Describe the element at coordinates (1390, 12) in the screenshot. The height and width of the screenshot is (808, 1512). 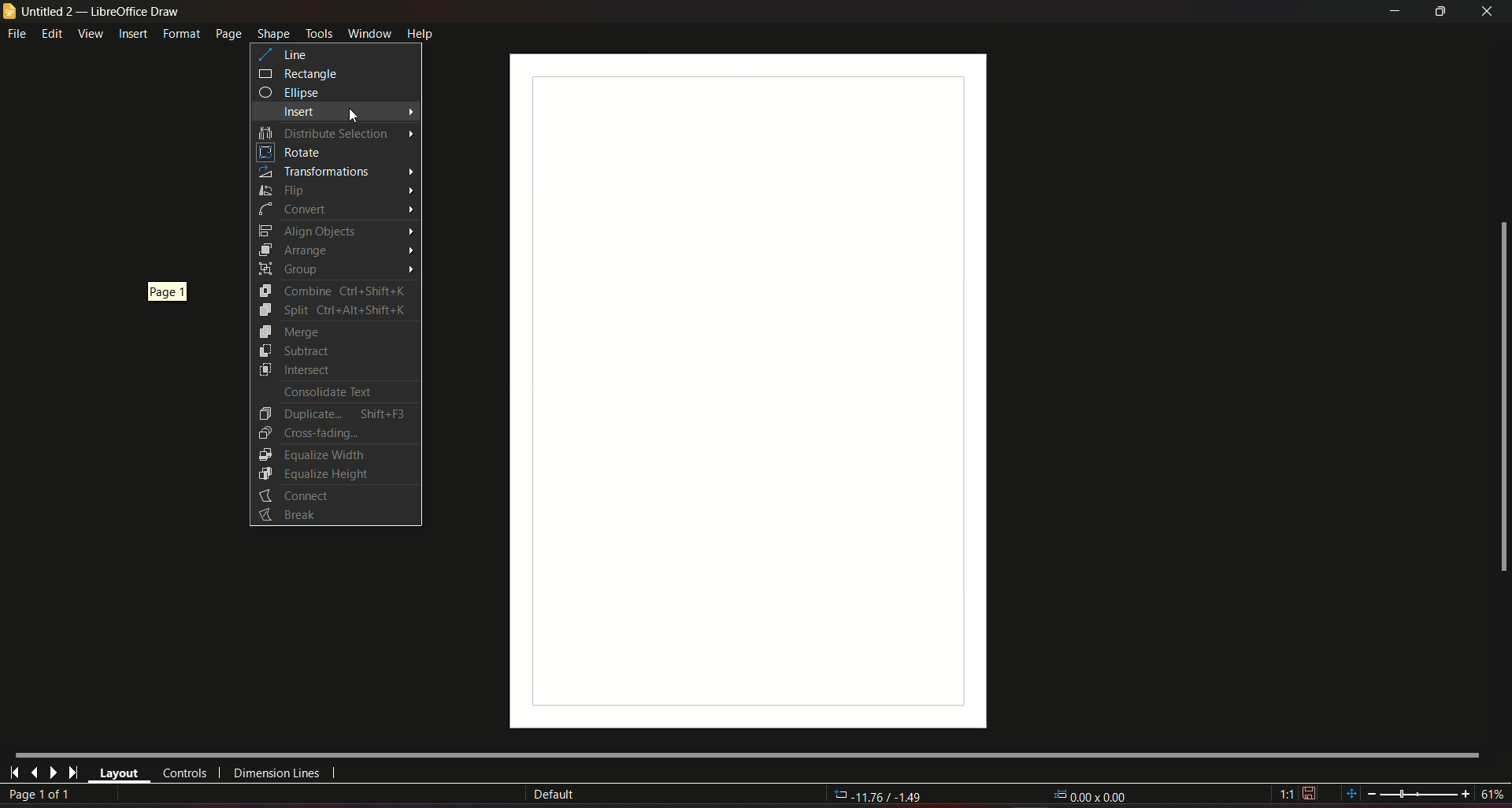
I see `minimize` at that location.